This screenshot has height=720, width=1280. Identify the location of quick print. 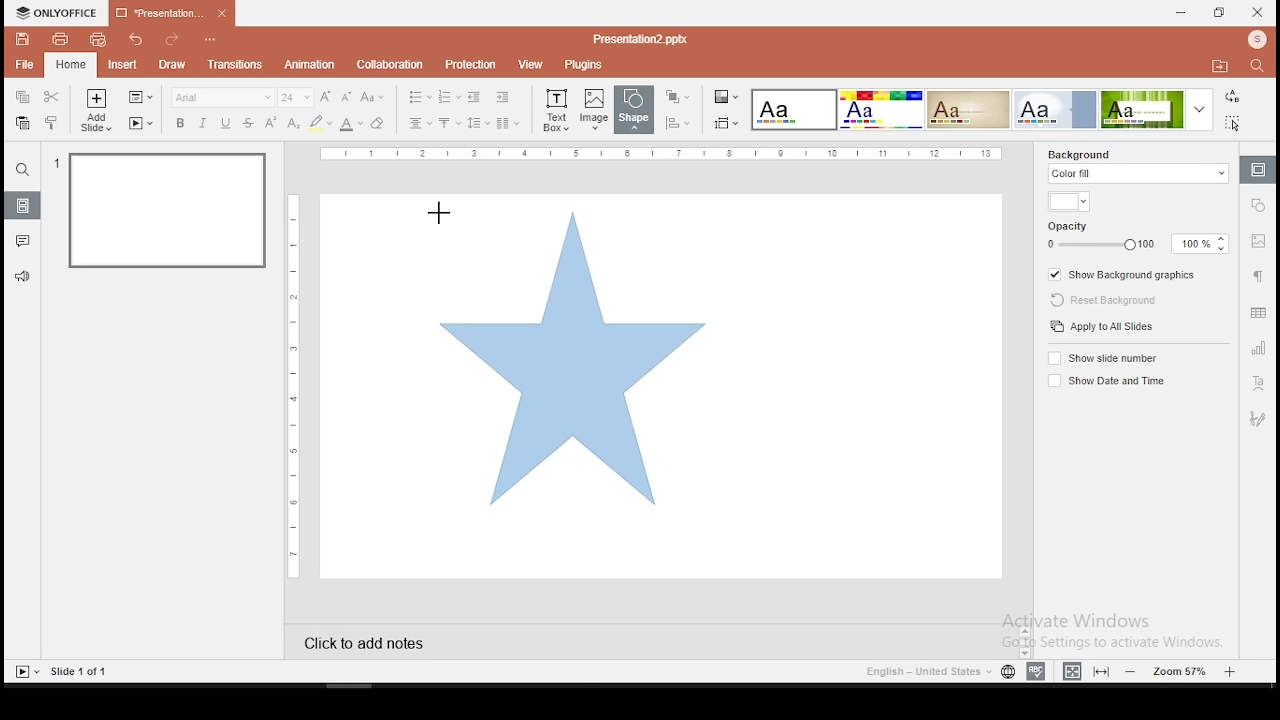
(97, 39).